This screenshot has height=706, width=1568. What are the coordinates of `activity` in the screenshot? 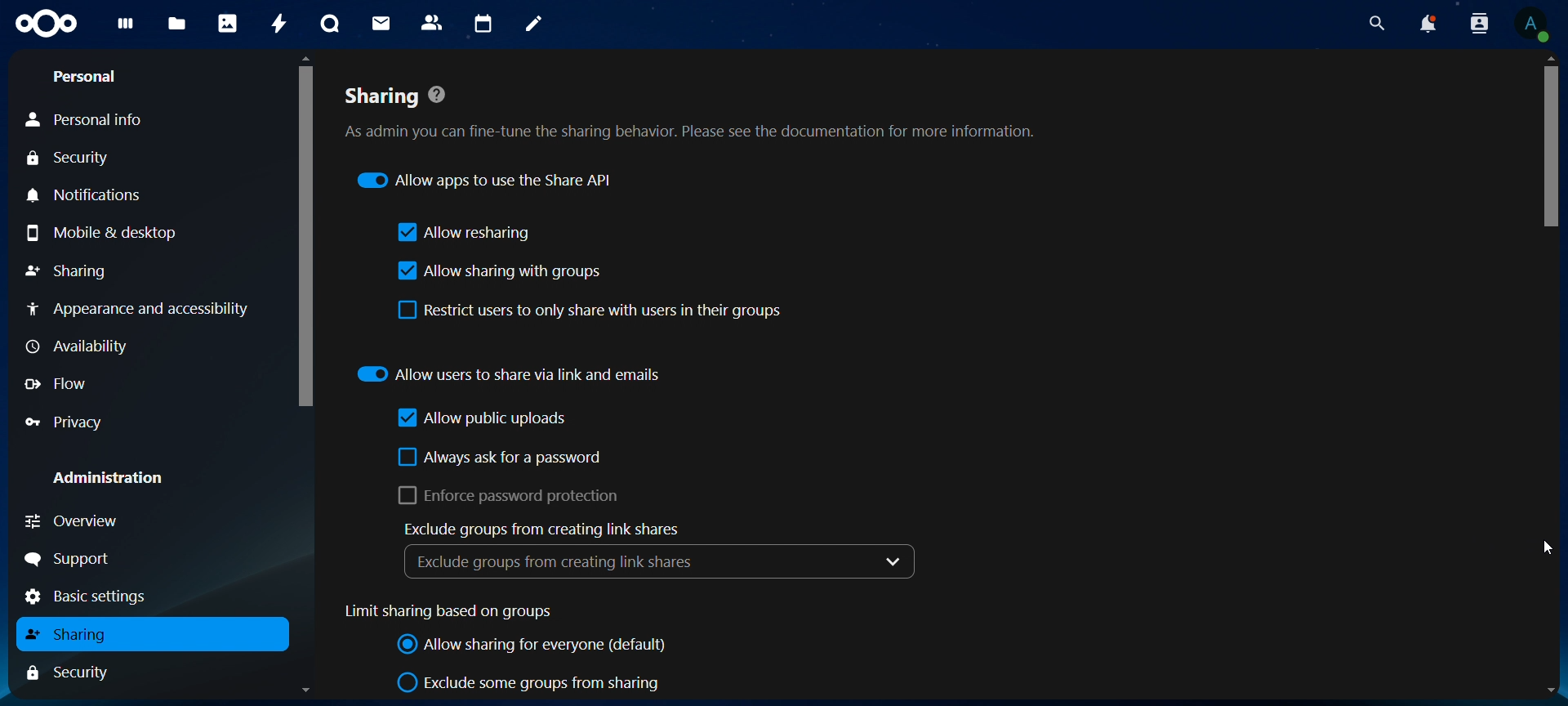 It's located at (280, 25).